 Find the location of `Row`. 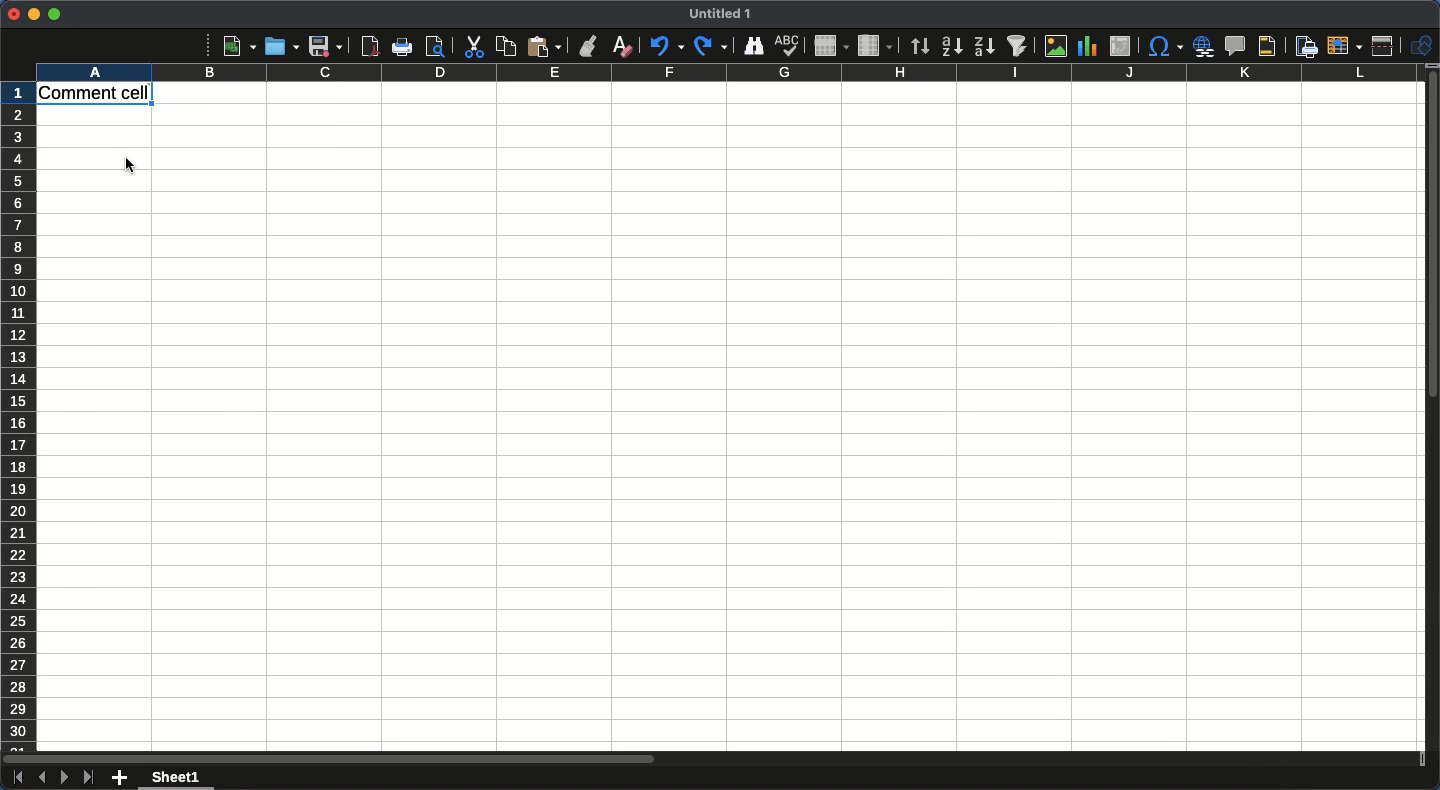

Row is located at coordinates (830, 46).